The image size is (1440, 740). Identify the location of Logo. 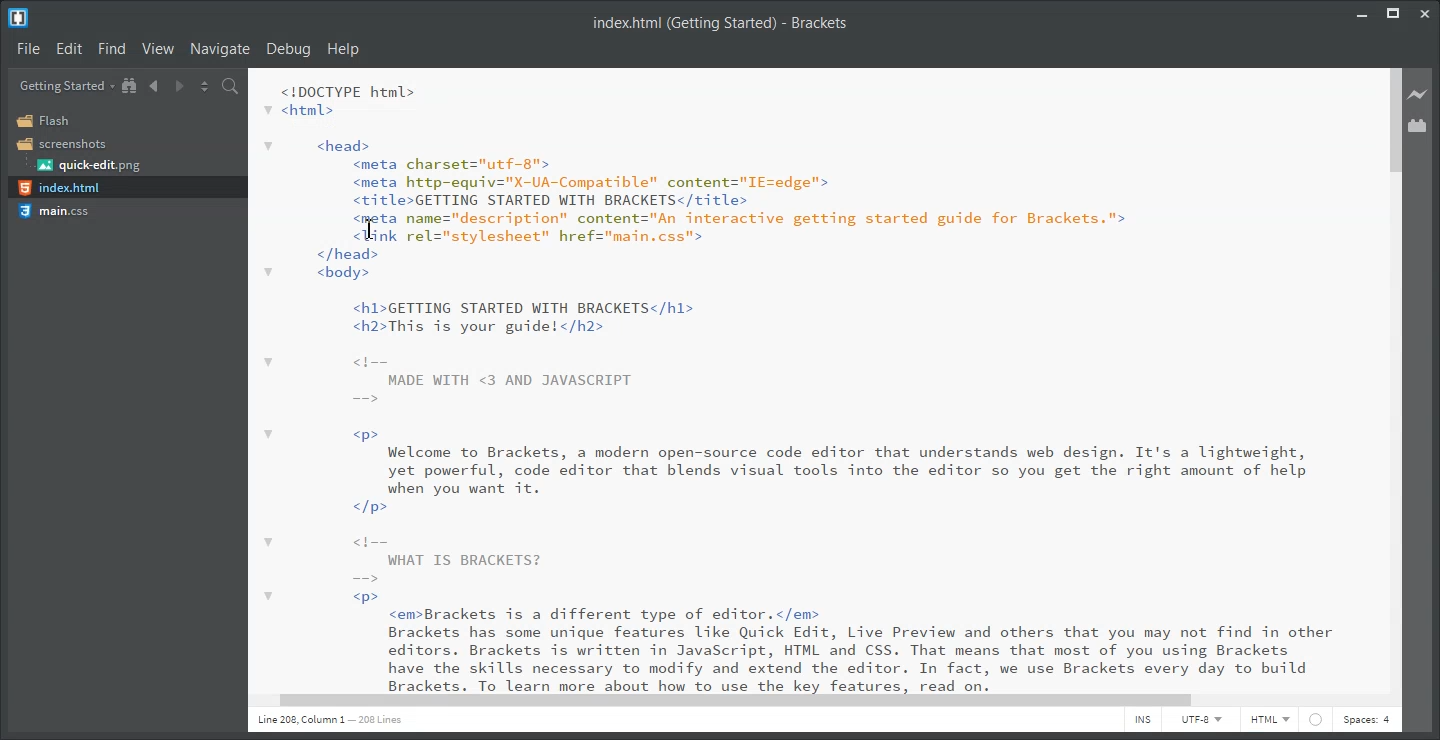
(18, 18).